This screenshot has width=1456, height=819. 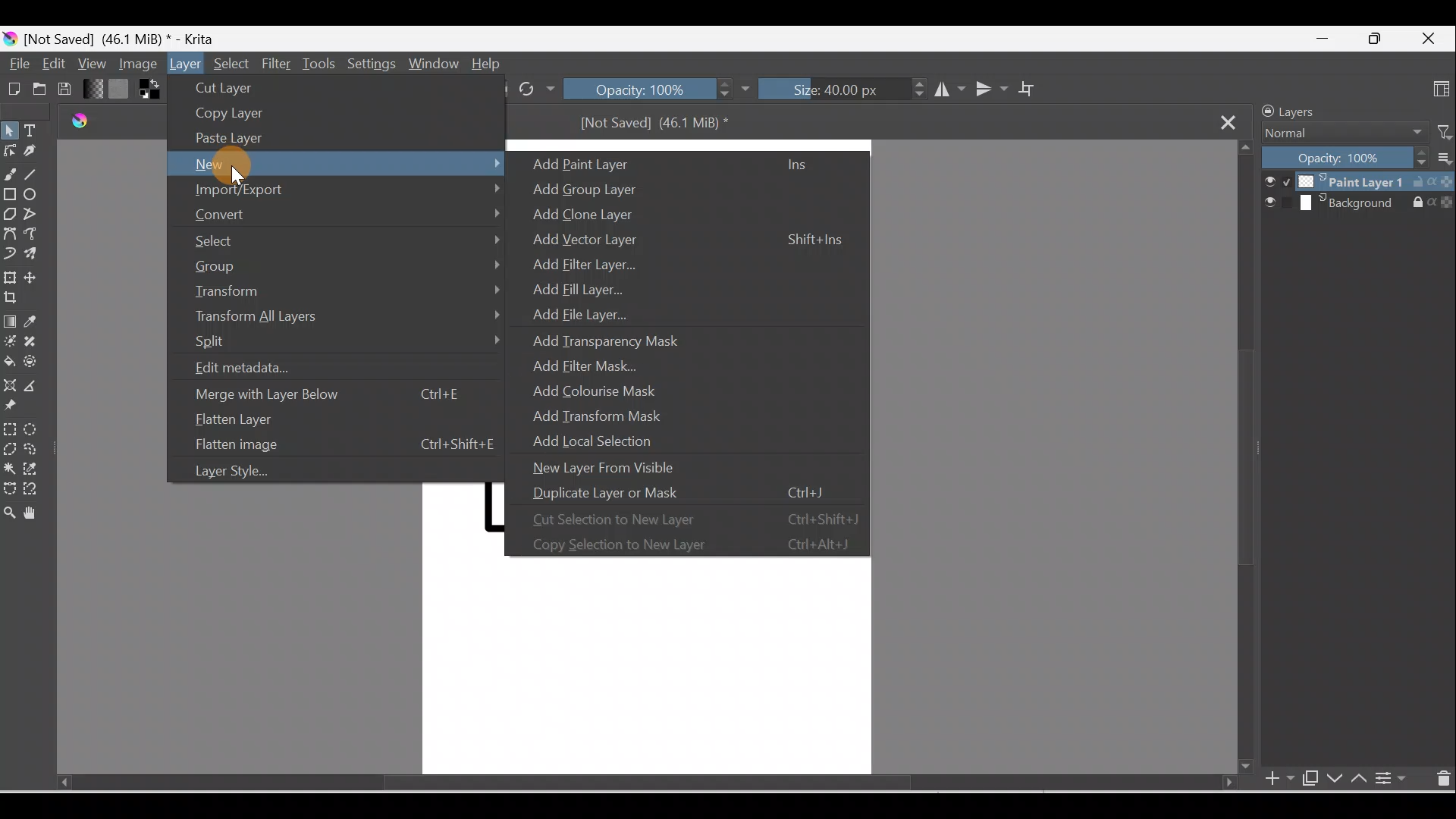 I want to click on Scroll bar, so click(x=1243, y=459).